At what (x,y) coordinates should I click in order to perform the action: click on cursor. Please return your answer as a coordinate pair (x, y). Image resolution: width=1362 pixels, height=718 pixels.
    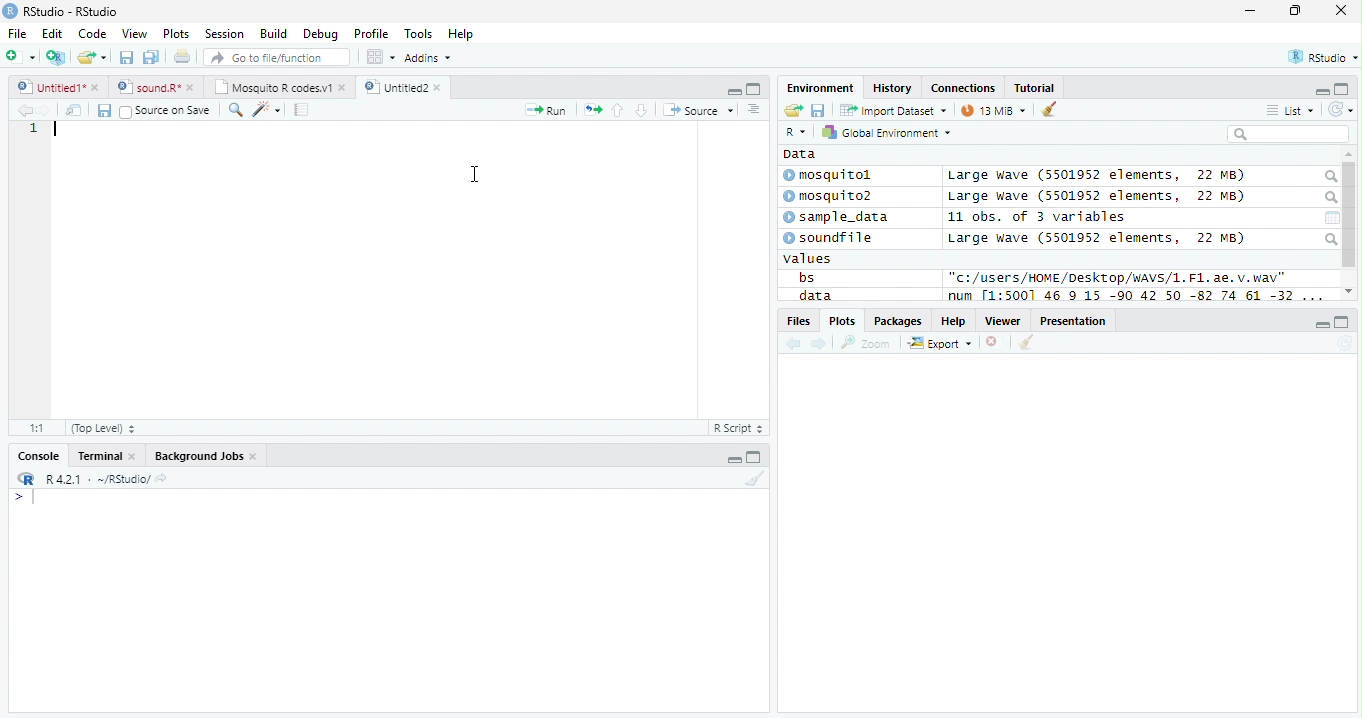
    Looking at the image, I should click on (477, 173).